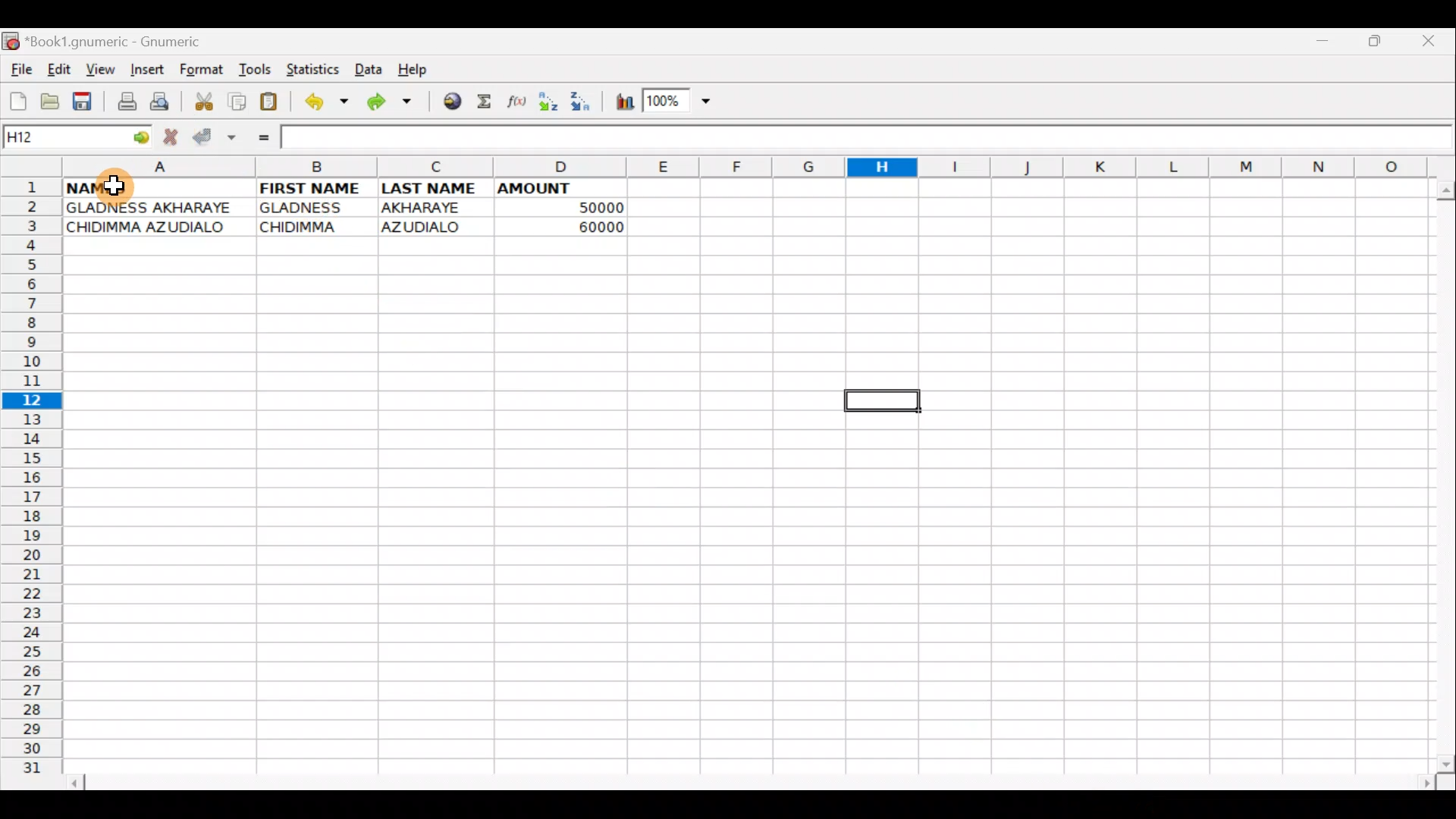 This screenshot has height=819, width=1456. I want to click on View, so click(96, 70).